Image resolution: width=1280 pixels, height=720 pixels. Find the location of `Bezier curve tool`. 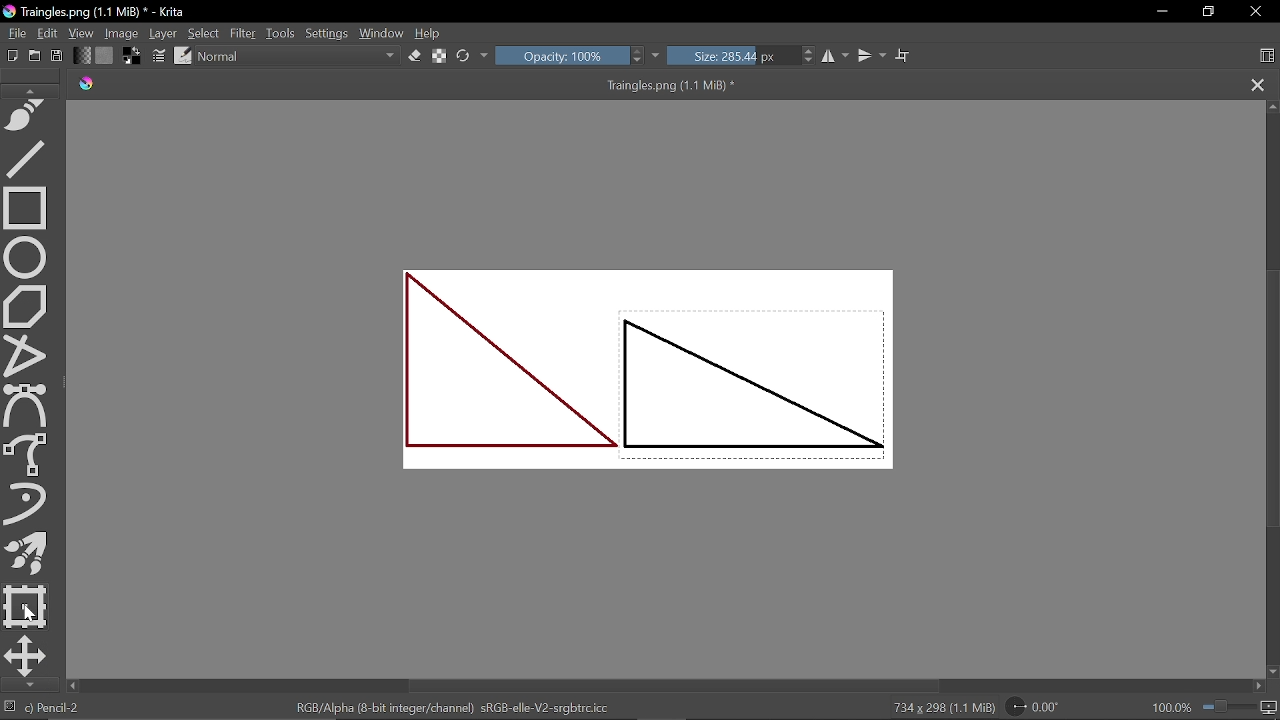

Bezier curve tool is located at coordinates (28, 406).